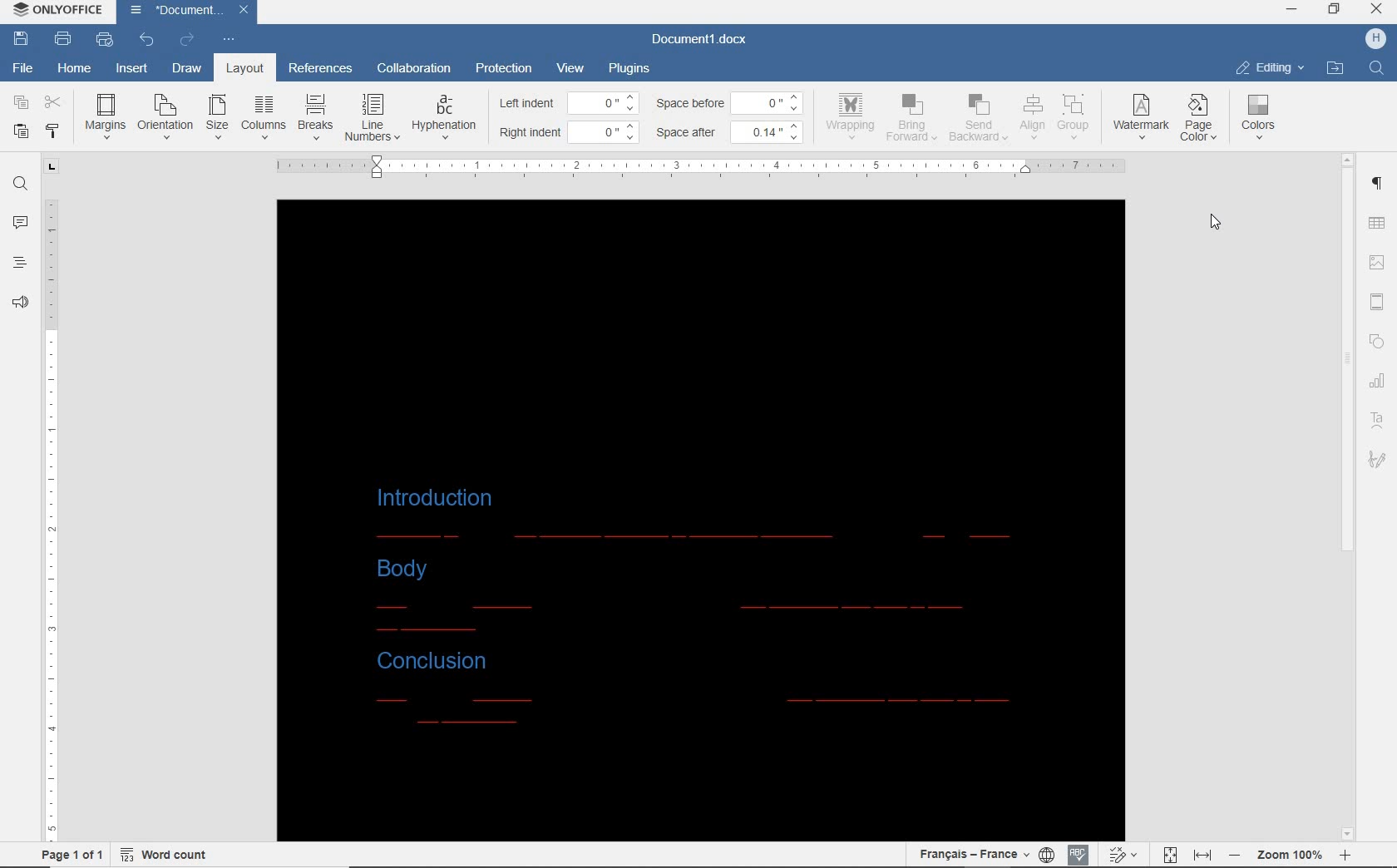 This screenshot has width=1397, height=868. What do you see at coordinates (20, 223) in the screenshot?
I see `comments` at bounding box center [20, 223].